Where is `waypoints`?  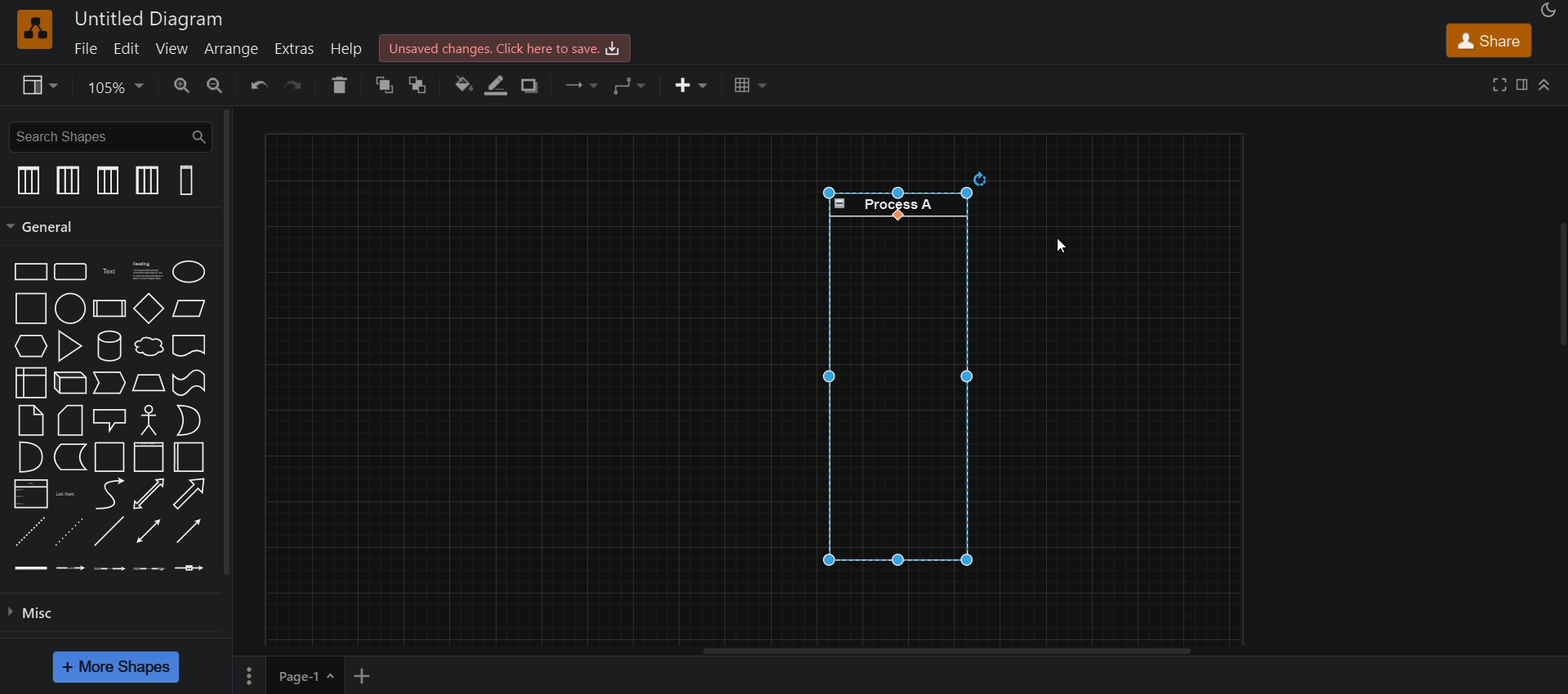 waypoints is located at coordinates (632, 86).